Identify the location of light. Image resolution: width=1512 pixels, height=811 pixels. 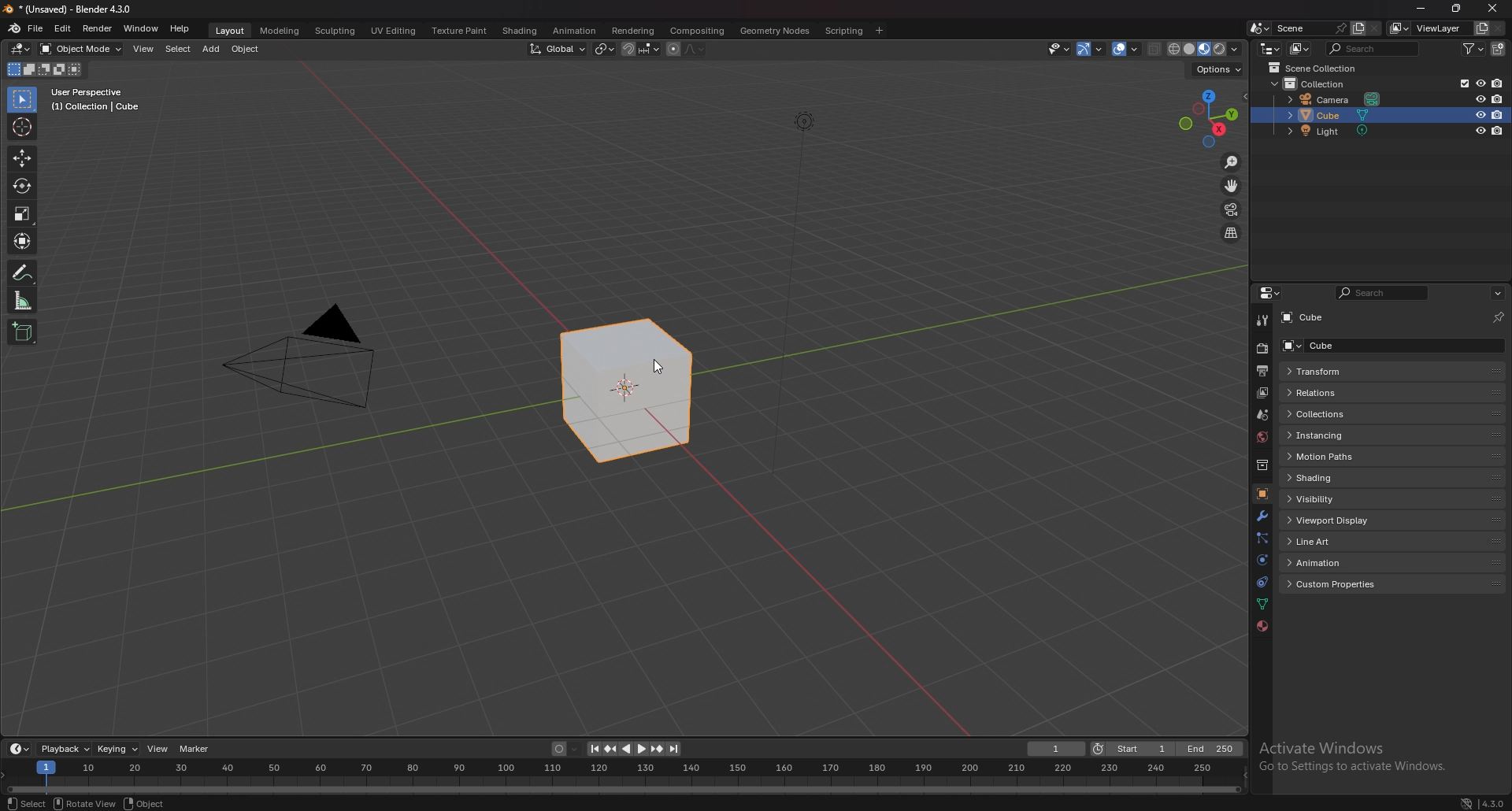
(1332, 131).